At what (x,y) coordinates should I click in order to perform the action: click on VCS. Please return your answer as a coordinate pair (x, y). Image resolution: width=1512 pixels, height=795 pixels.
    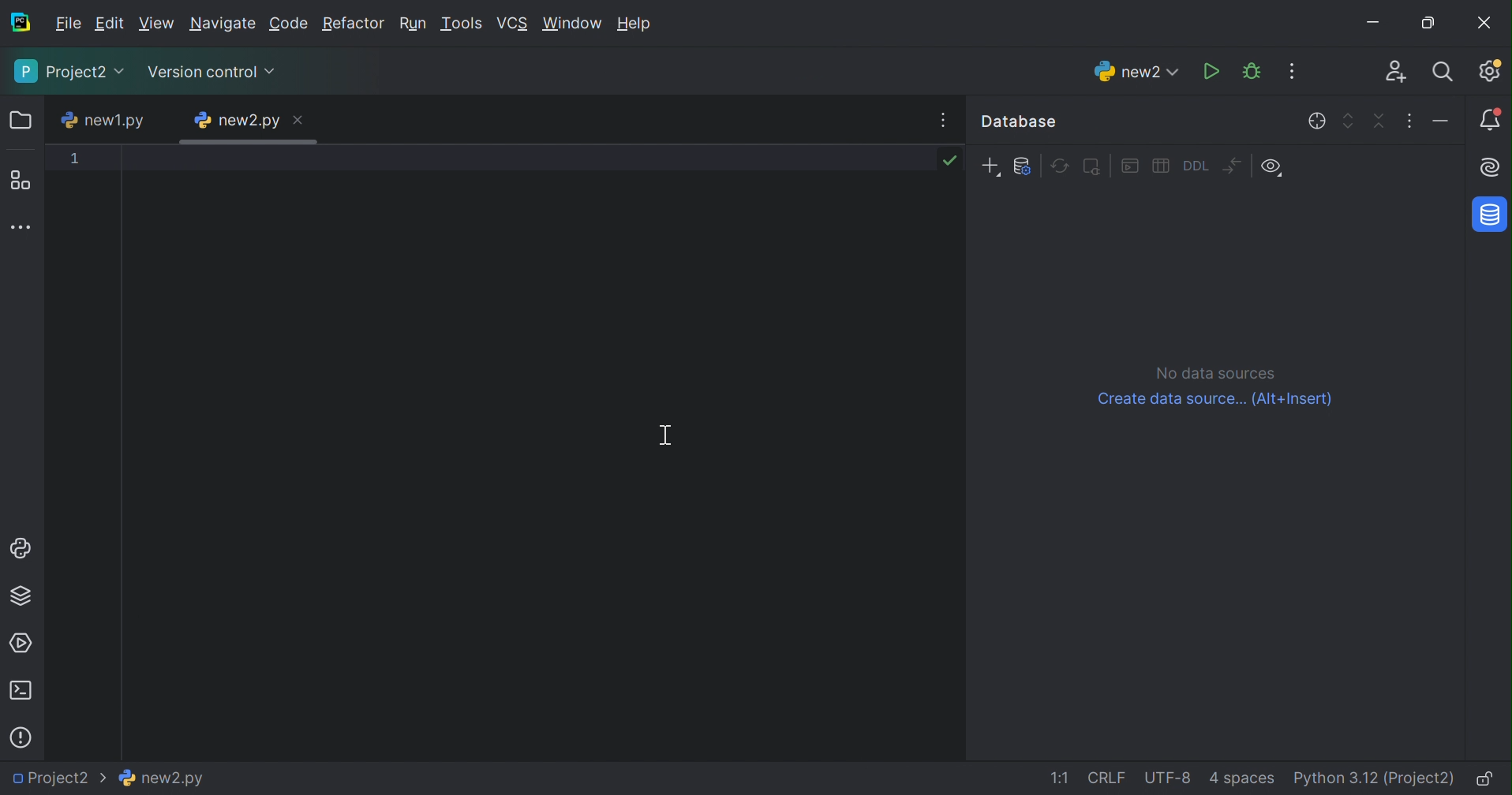
    Looking at the image, I should click on (511, 21).